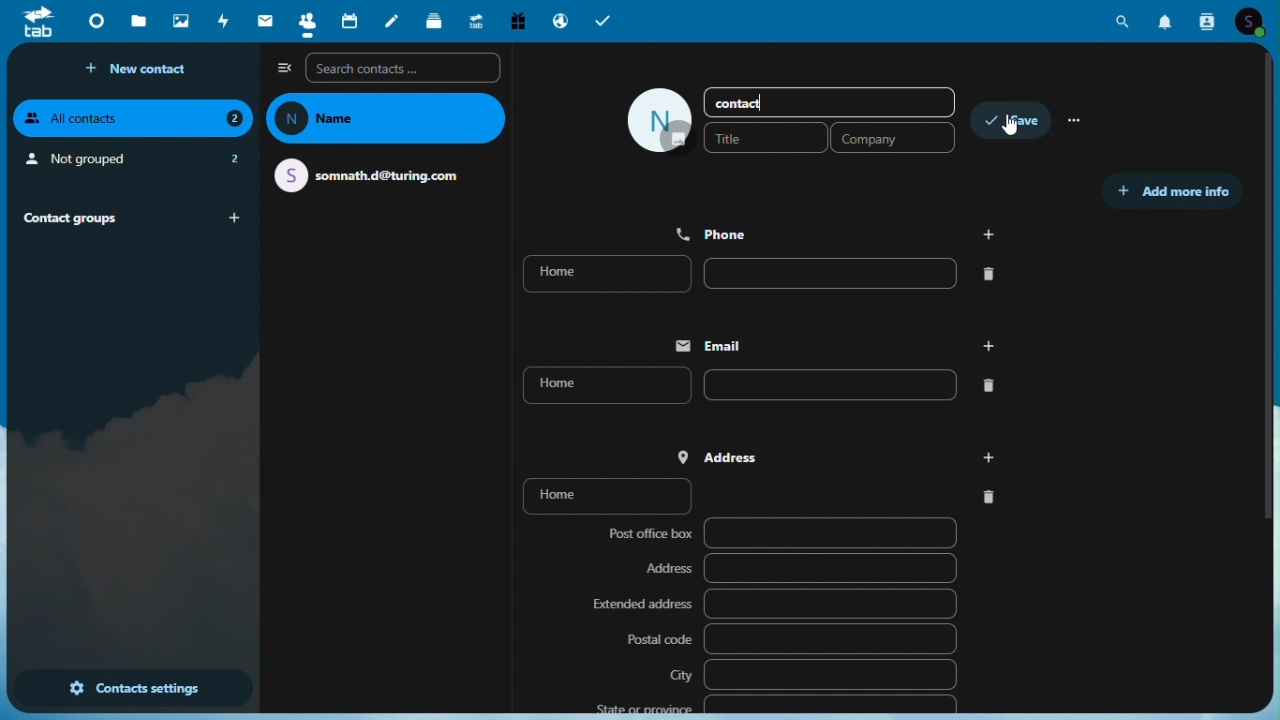 The width and height of the screenshot is (1280, 720). I want to click on vertical scrollbar, so click(1272, 297).